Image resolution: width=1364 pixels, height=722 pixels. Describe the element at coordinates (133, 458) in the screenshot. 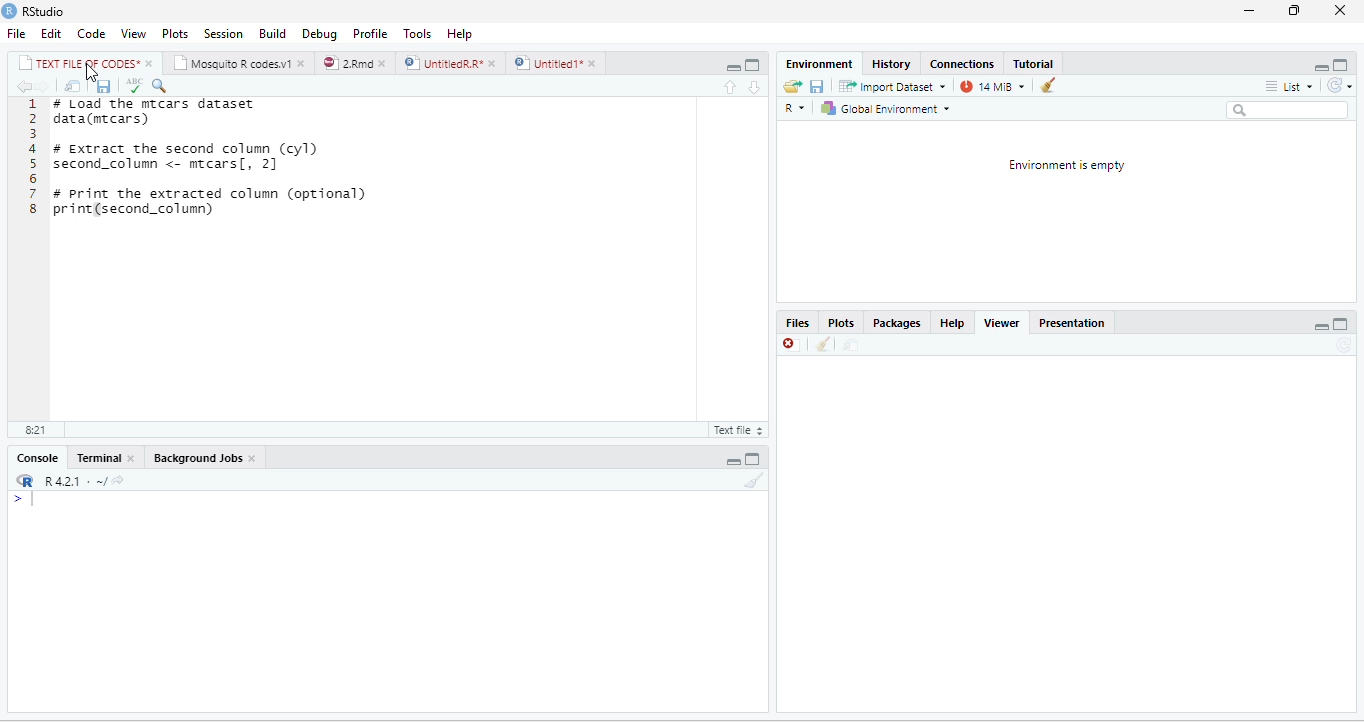

I see `close` at that location.